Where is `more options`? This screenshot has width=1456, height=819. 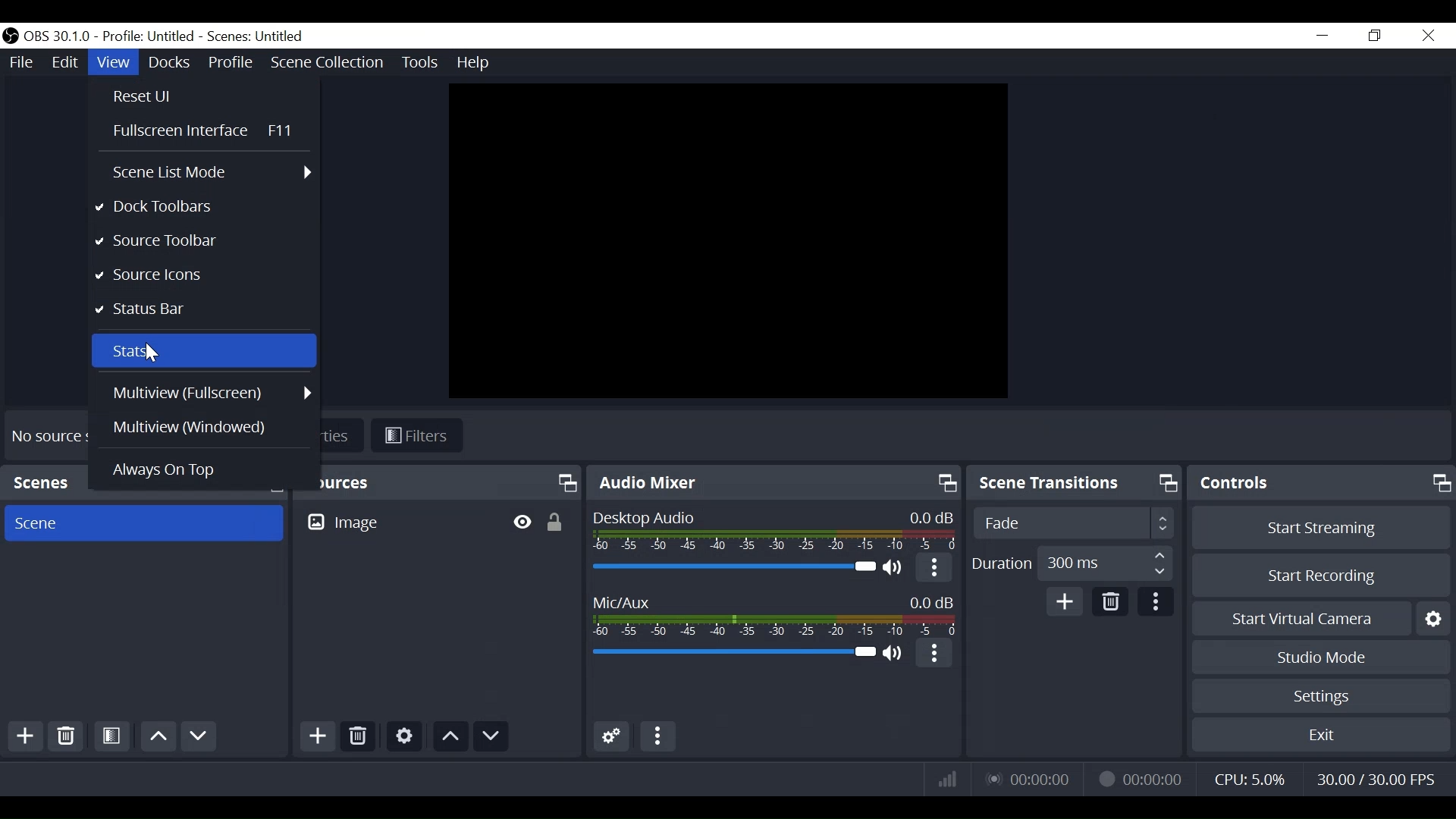 more options is located at coordinates (1153, 604).